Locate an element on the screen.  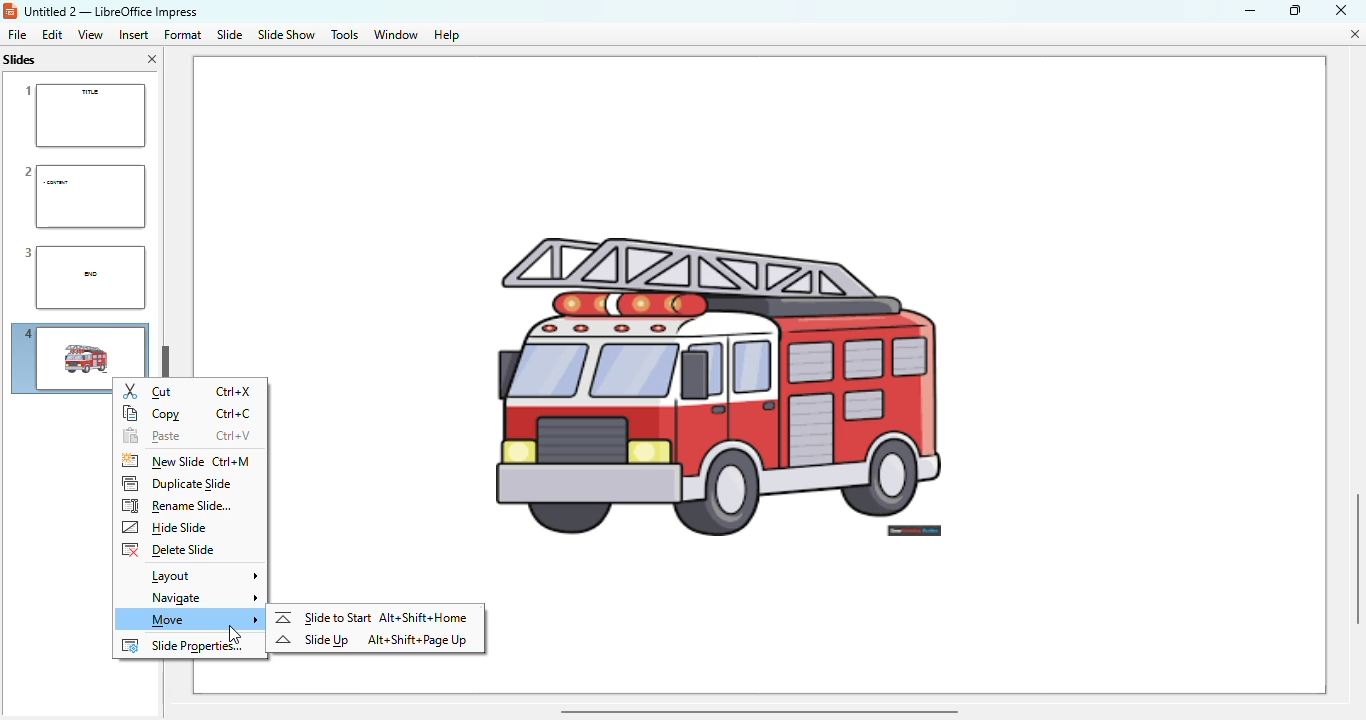
edit is located at coordinates (52, 34).